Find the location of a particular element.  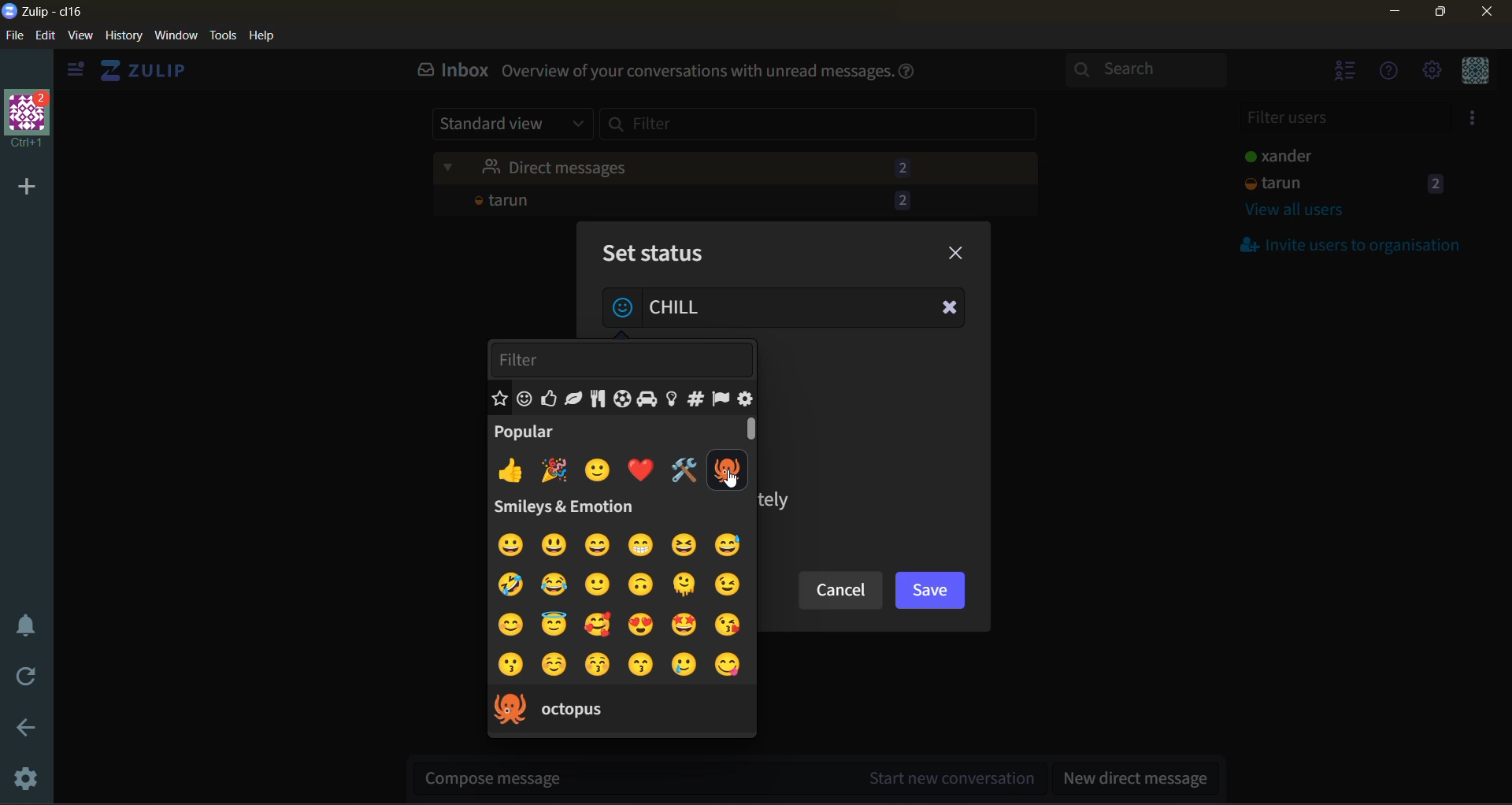

standard view is located at coordinates (510, 124).